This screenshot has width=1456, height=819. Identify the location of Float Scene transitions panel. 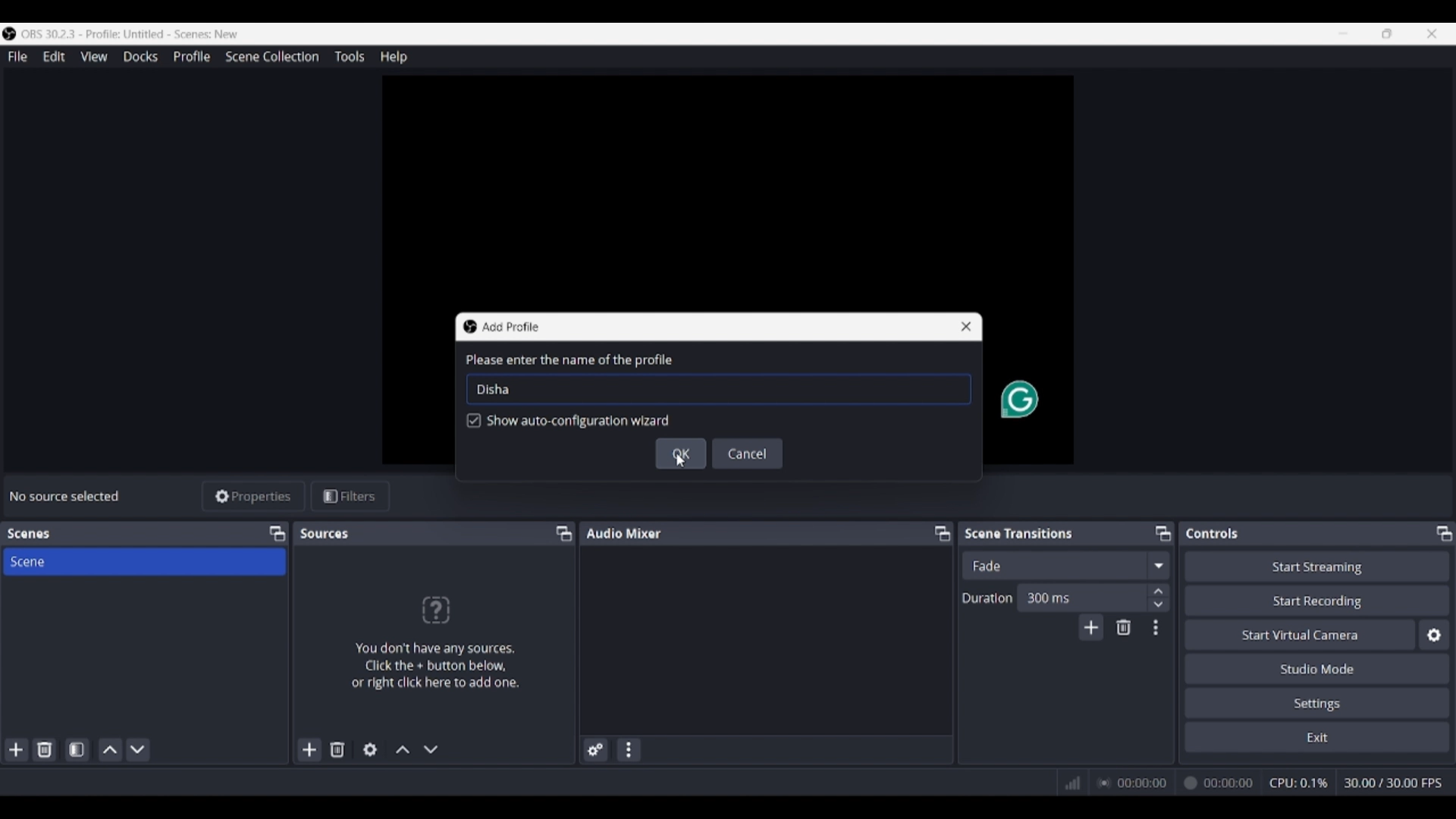
(1163, 533).